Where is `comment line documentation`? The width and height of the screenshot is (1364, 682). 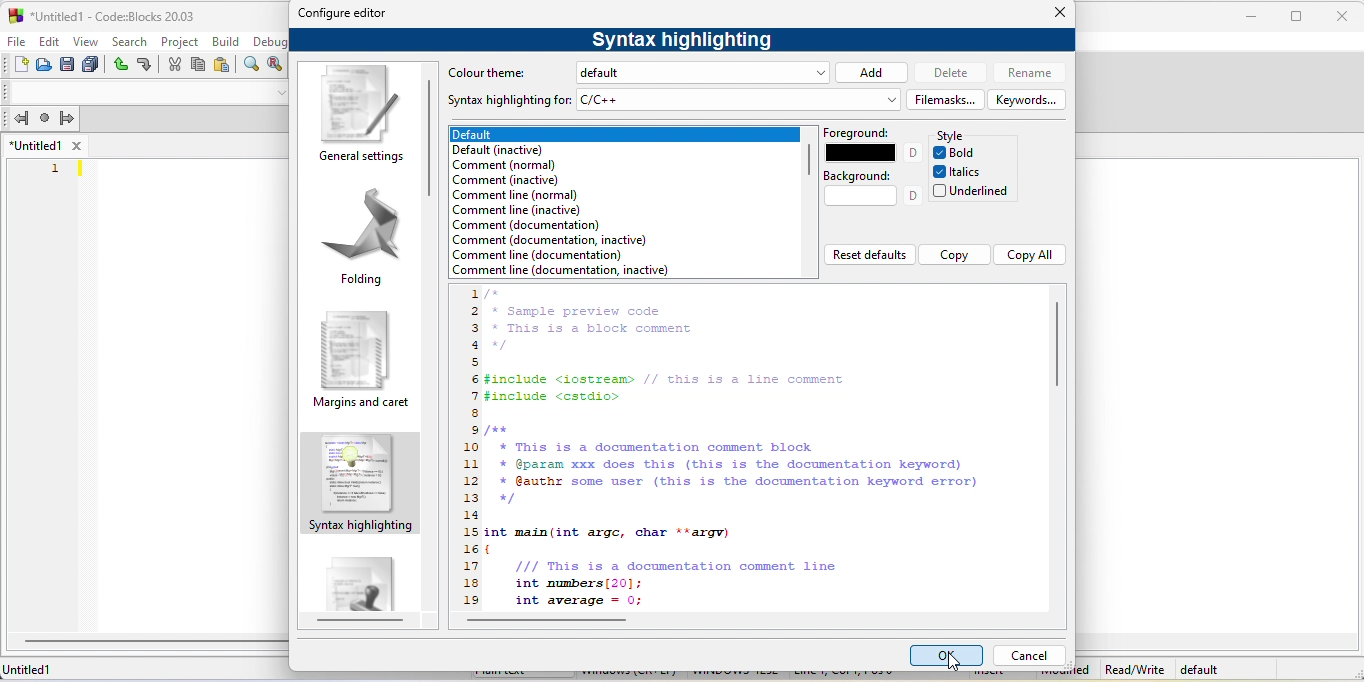
comment line documentation is located at coordinates (548, 256).